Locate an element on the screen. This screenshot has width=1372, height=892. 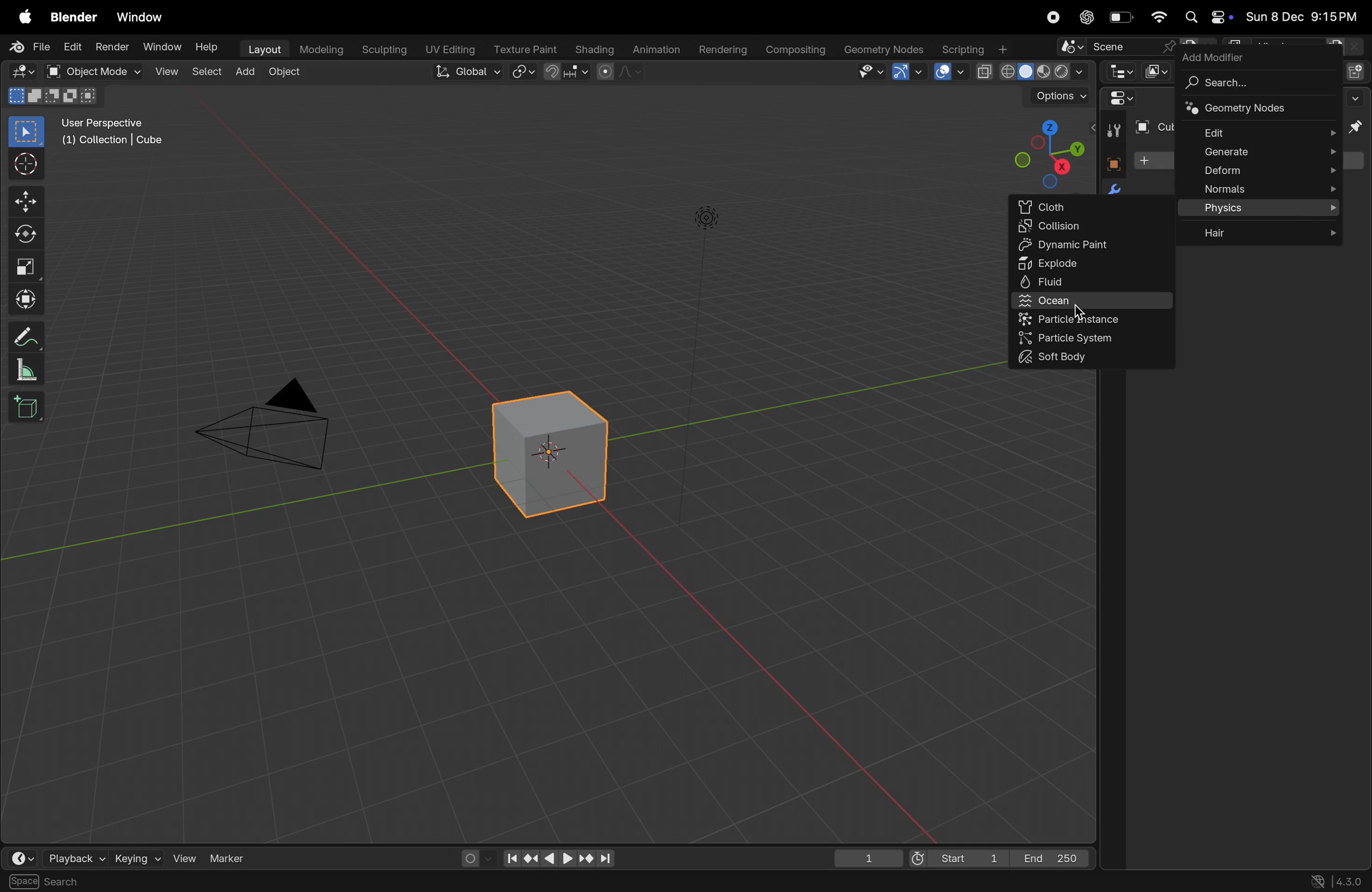
Start 1 is located at coordinates (956, 857).